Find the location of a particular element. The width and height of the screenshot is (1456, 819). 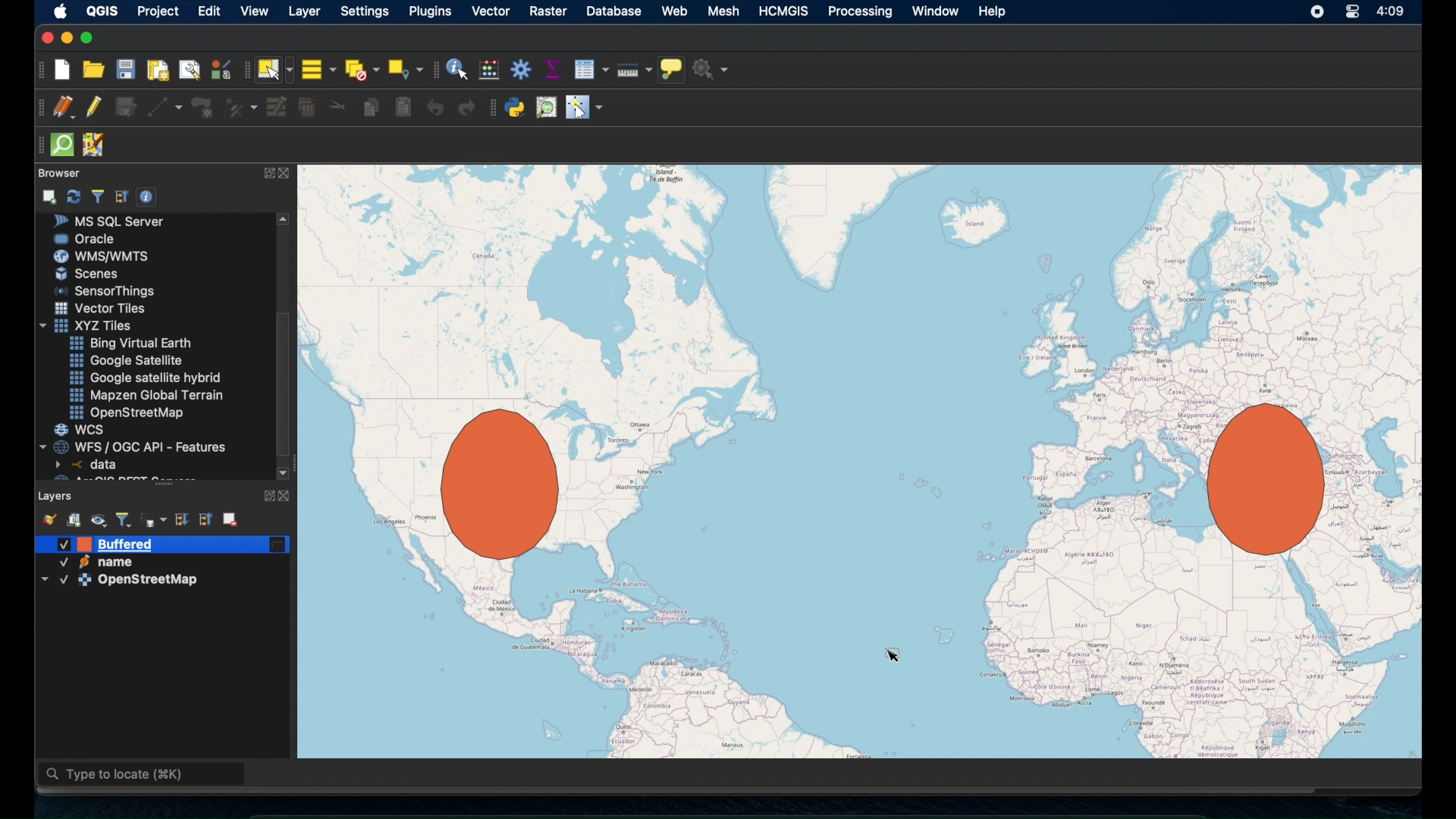

select features by area or single click is located at coordinates (275, 69).